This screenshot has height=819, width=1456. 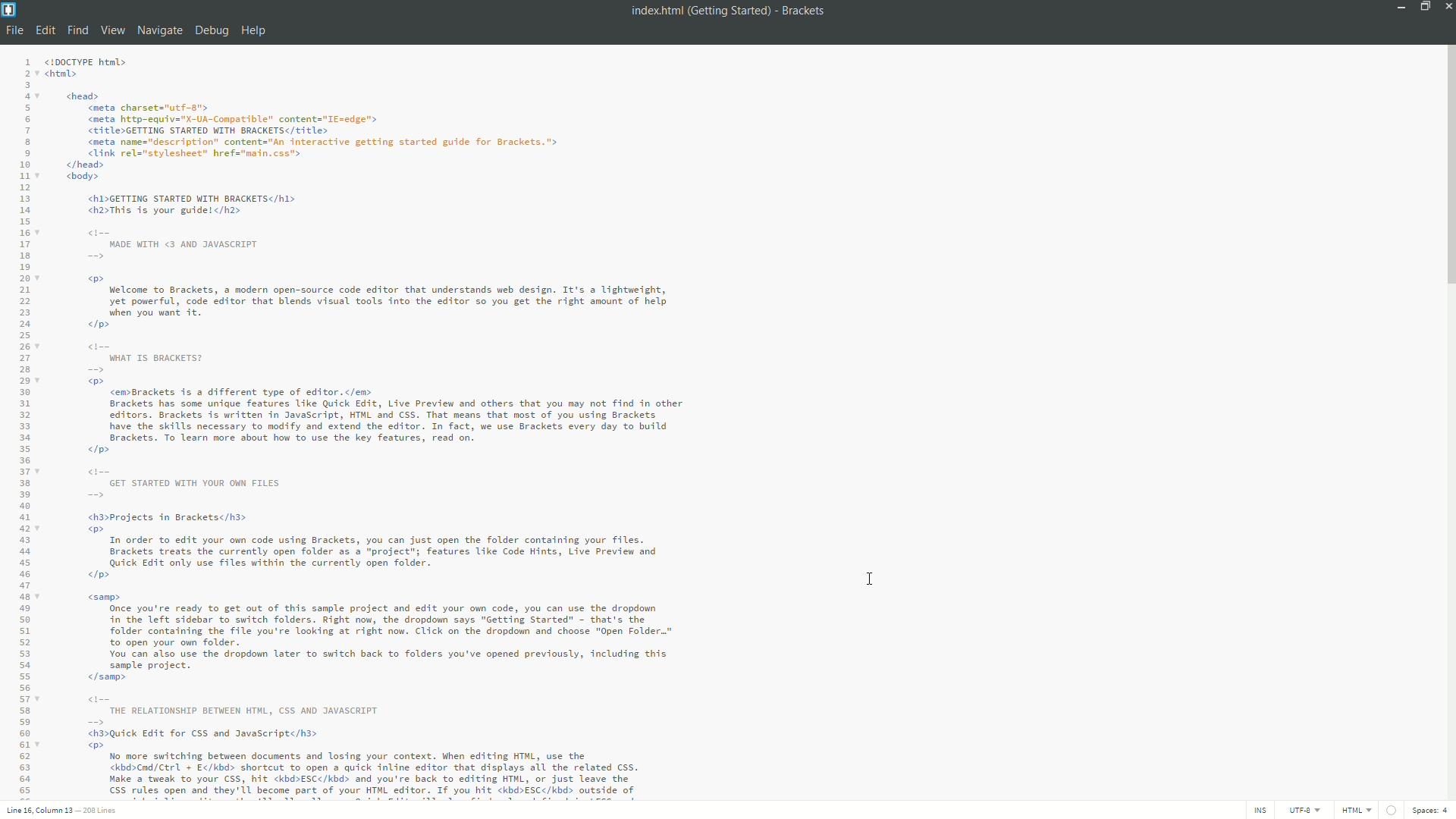 What do you see at coordinates (388, 427) in the screenshot?
I see `file code` at bounding box center [388, 427].